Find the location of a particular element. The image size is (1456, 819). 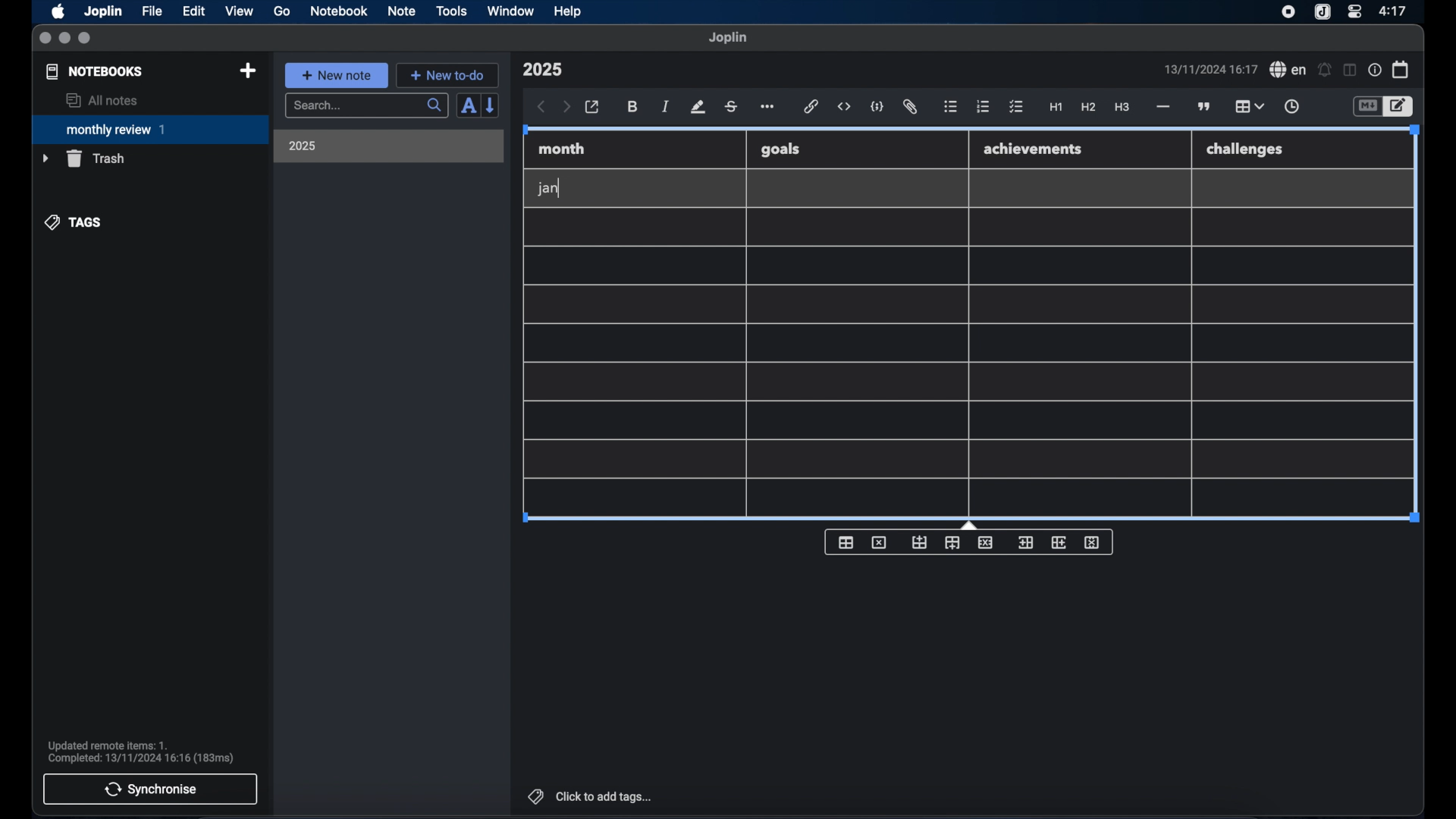

achievements is located at coordinates (1034, 149).